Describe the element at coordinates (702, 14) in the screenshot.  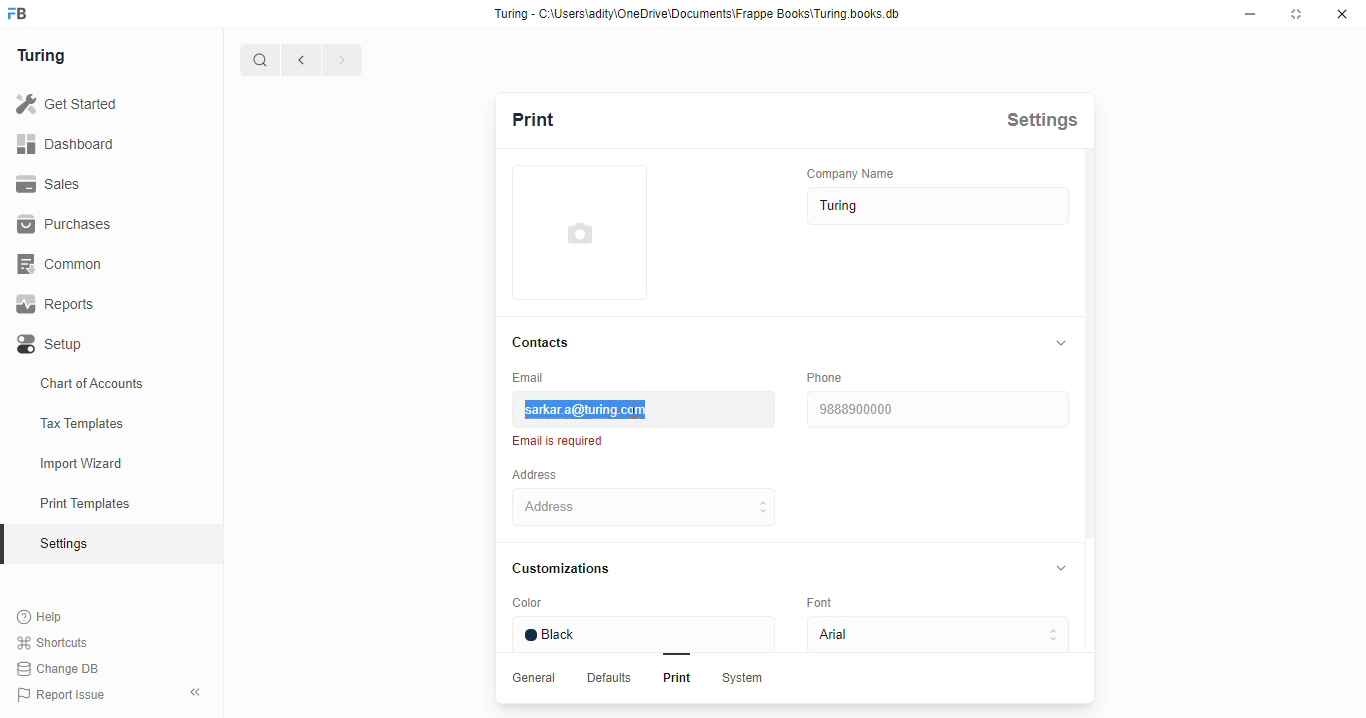
I see `Turing - C:\Users\adity\OneDrive\Documents\Frappe Books\Turing books. db` at that location.